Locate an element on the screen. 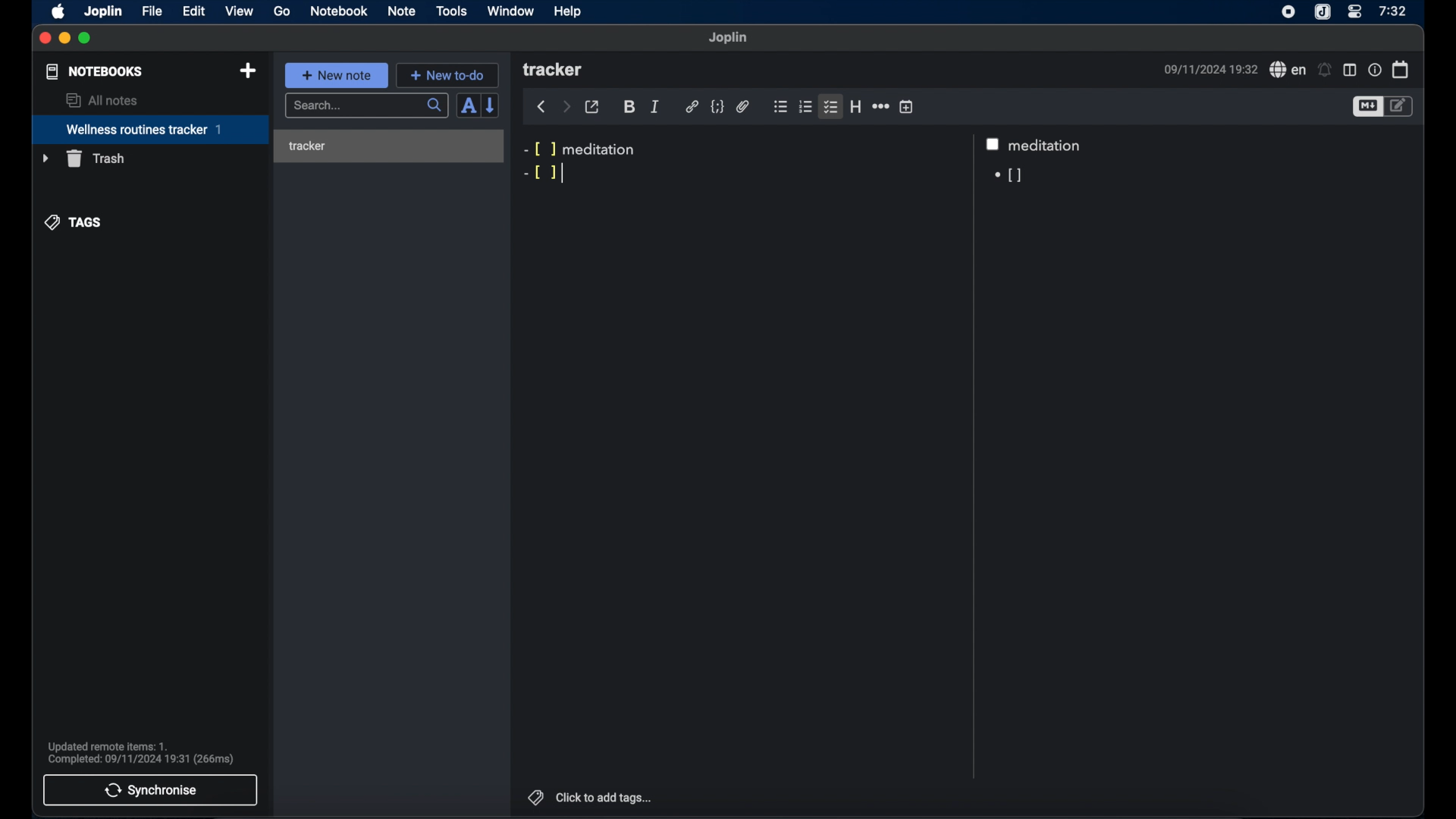 This screenshot has width=1456, height=819. window is located at coordinates (511, 11).